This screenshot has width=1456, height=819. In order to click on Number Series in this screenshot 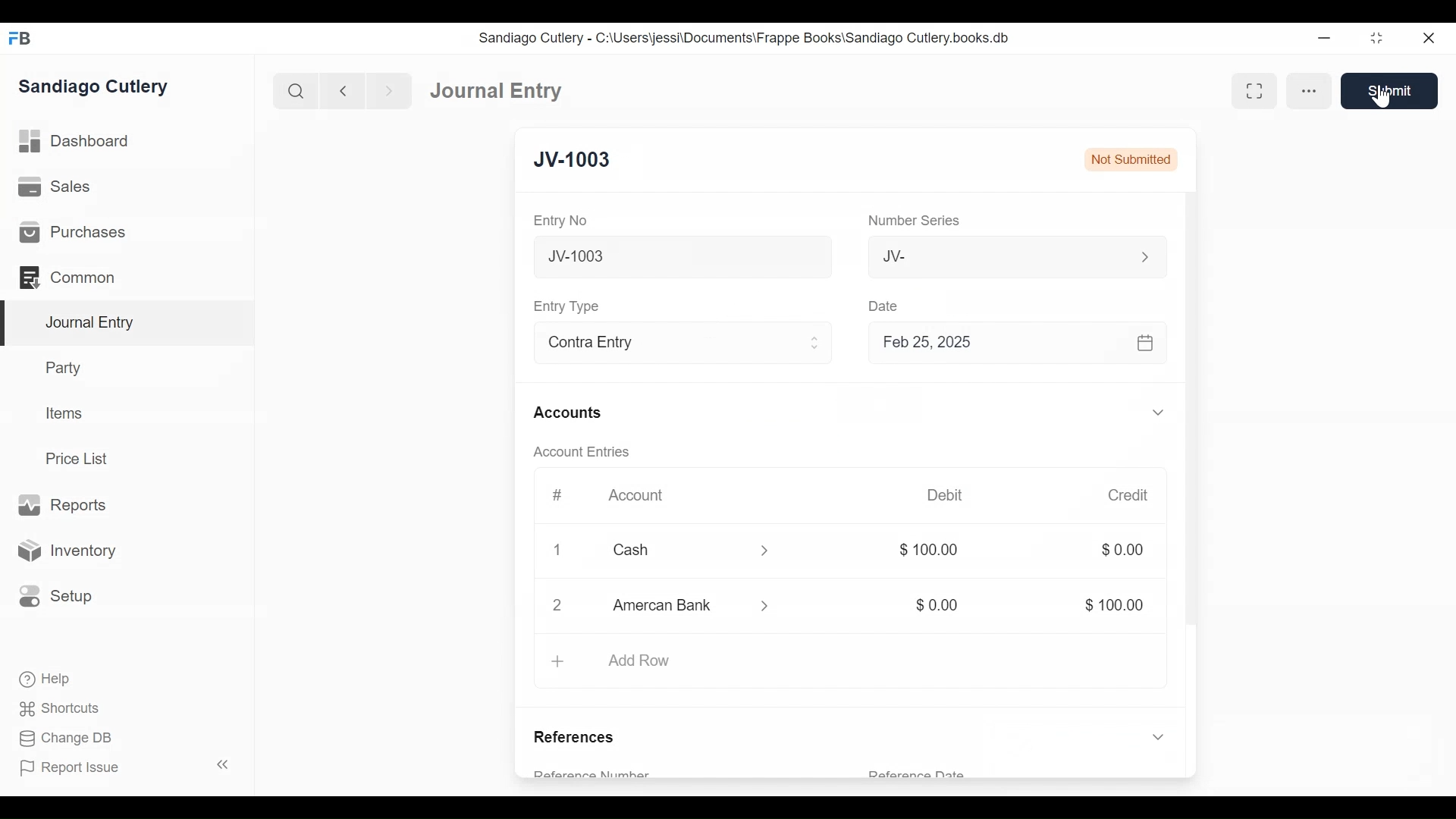, I will do `click(917, 221)`.